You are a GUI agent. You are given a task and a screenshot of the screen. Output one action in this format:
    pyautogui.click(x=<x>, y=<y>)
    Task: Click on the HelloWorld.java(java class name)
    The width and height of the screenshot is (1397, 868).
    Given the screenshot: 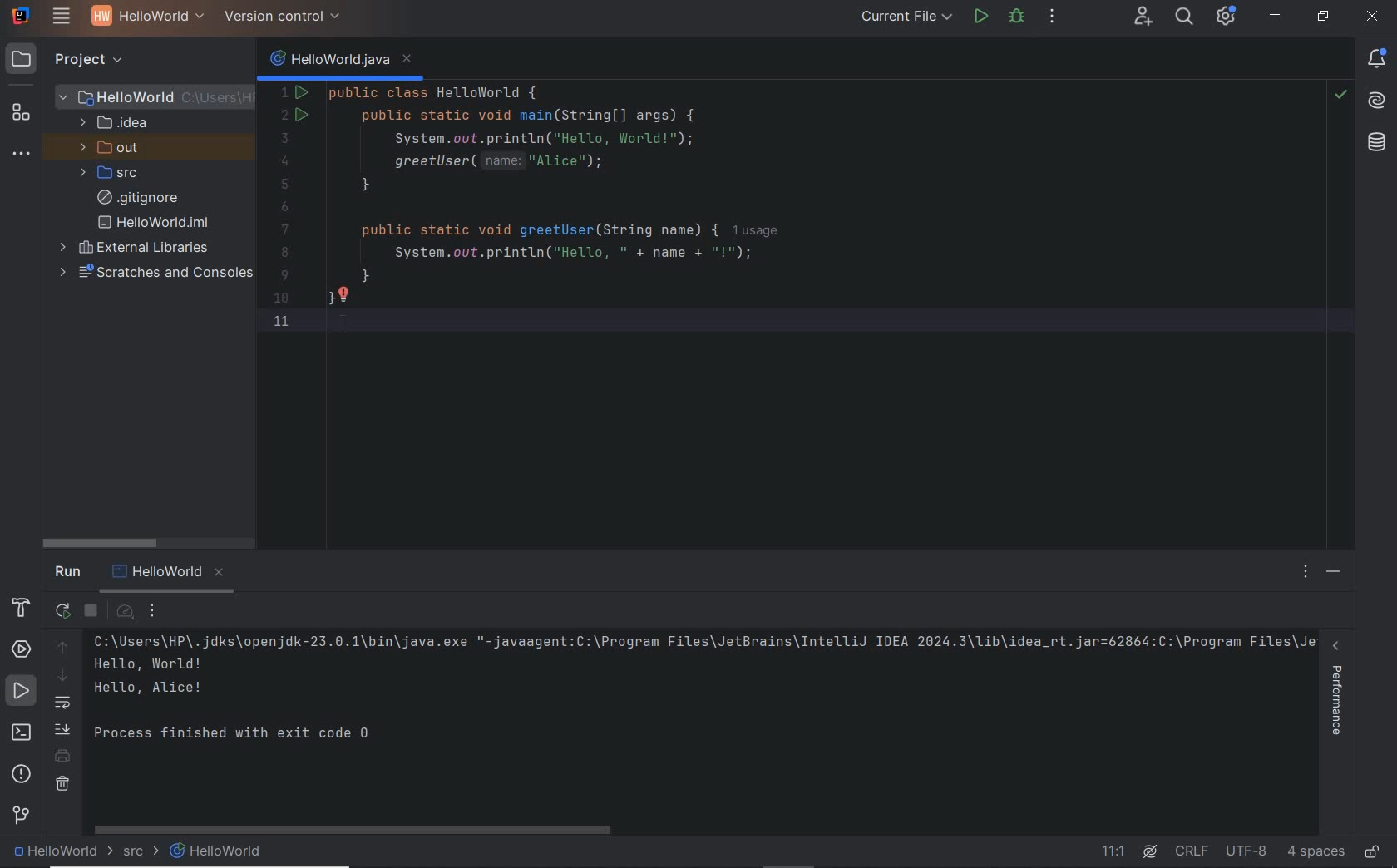 What is the action you would take?
    pyautogui.click(x=341, y=56)
    